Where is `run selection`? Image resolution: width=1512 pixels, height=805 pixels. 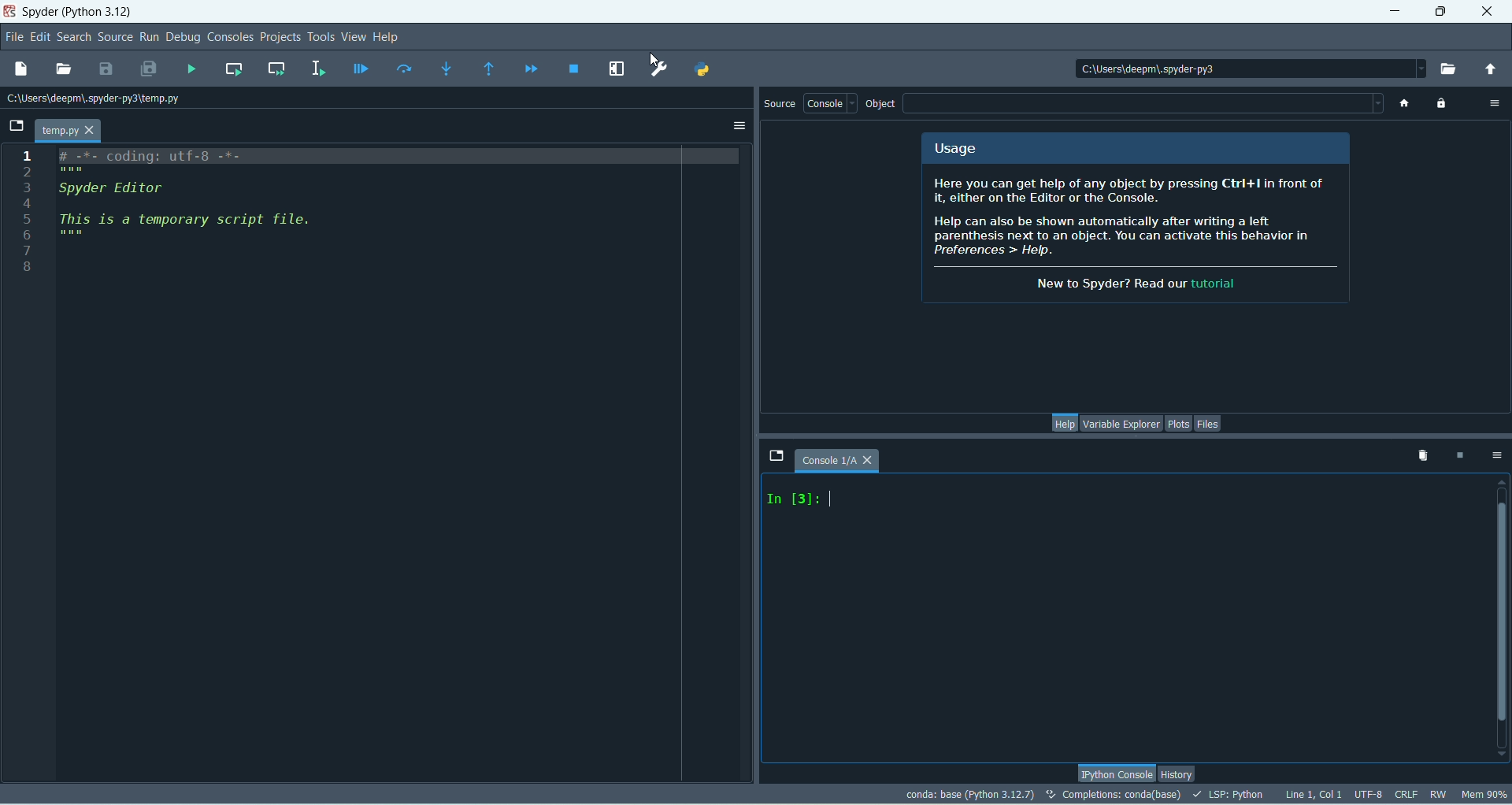 run selection is located at coordinates (318, 69).